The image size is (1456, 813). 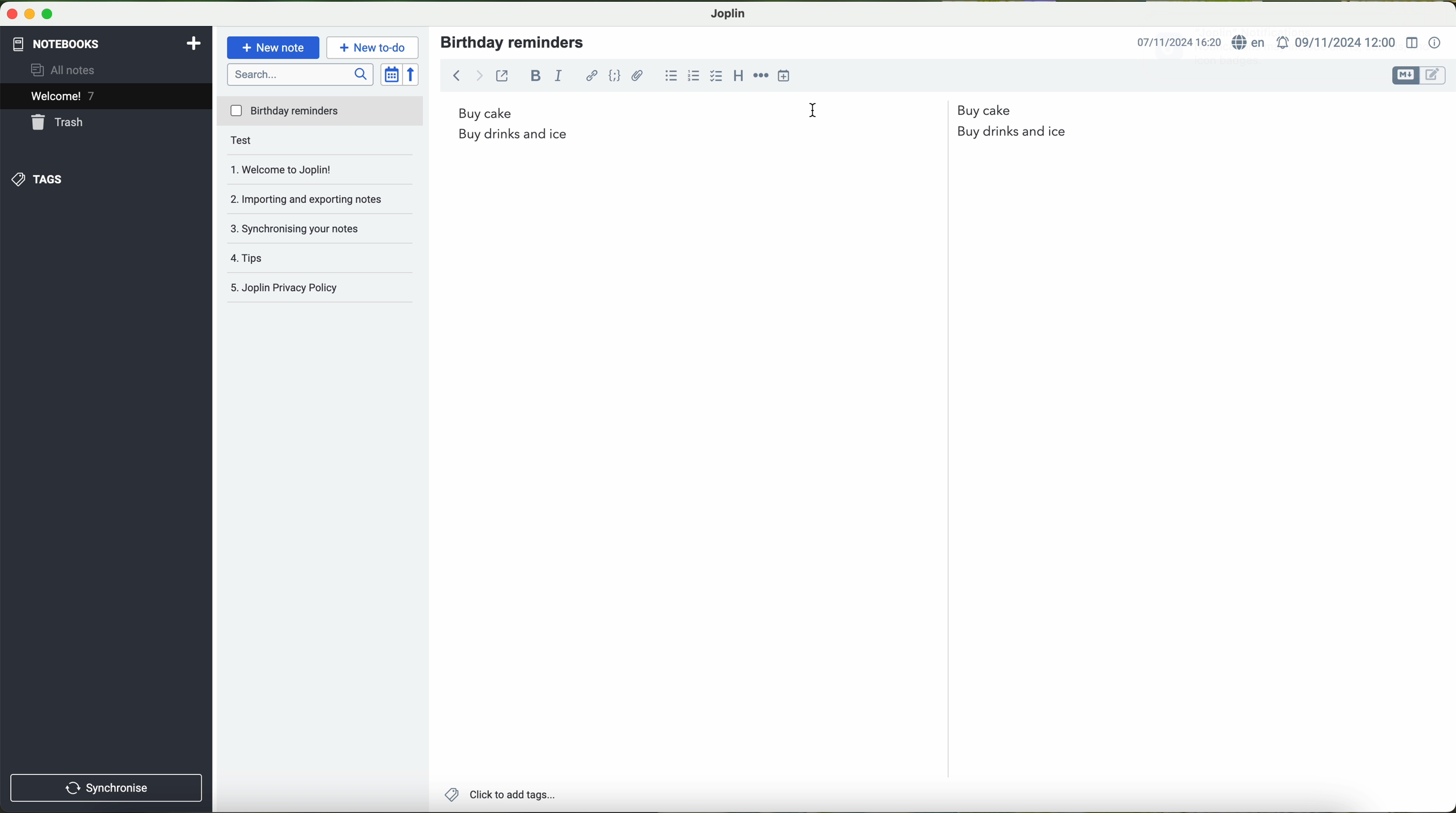 What do you see at coordinates (285, 285) in the screenshot?
I see `Joplin privacy policy` at bounding box center [285, 285].